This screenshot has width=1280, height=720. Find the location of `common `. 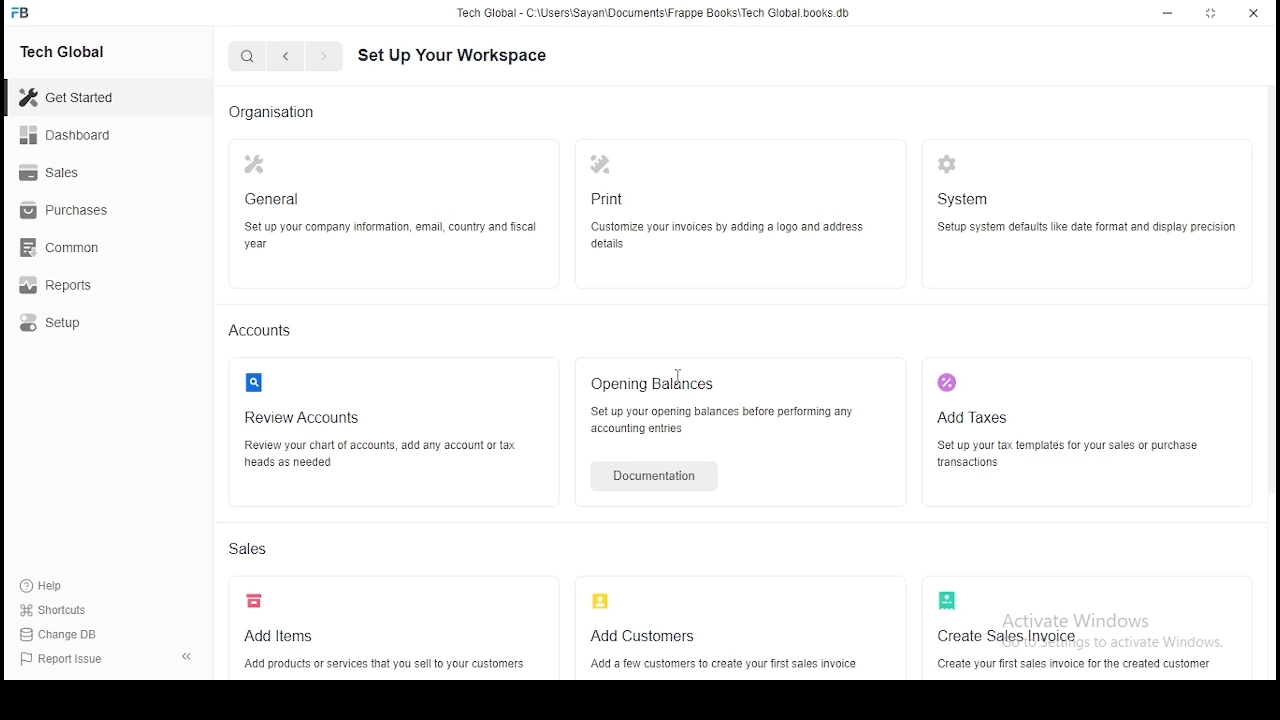

common  is located at coordinates (80, 250).